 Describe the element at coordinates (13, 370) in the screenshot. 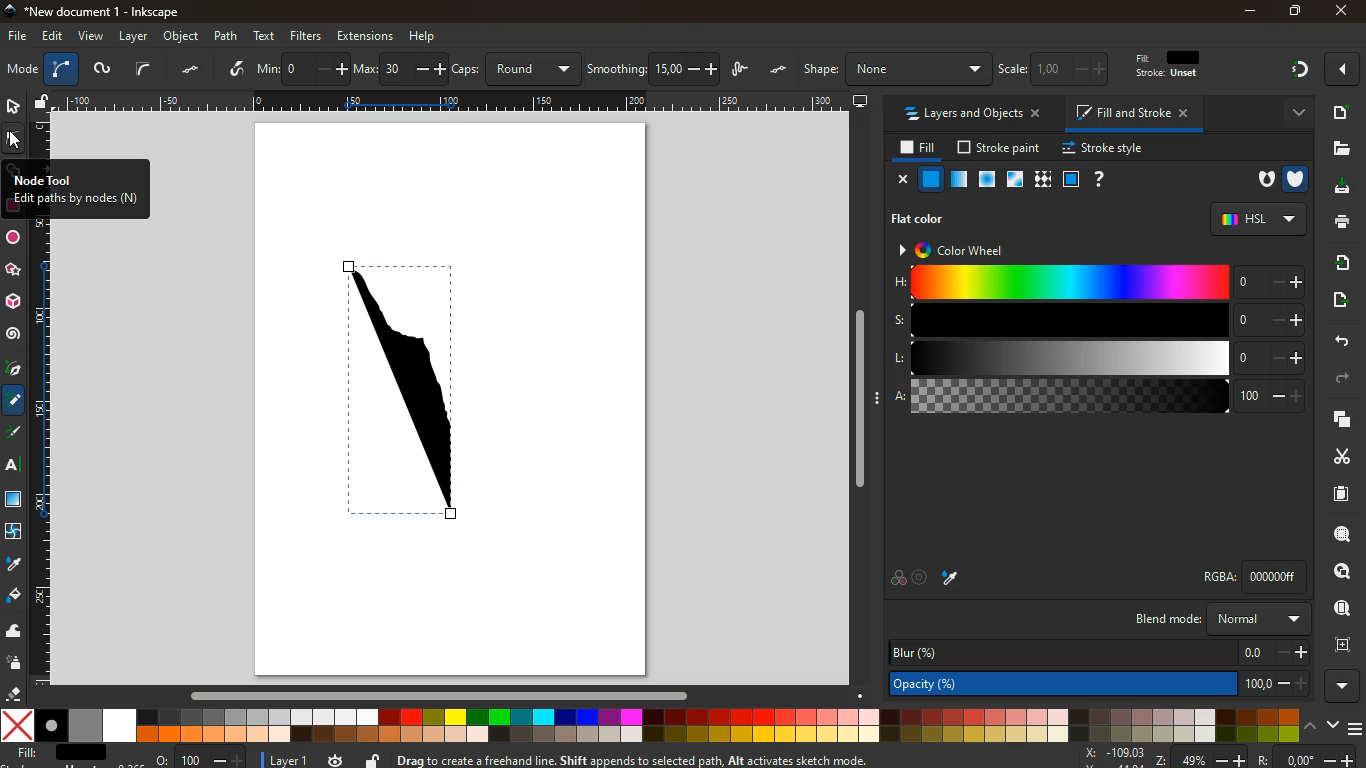

I see `pick` at that location.